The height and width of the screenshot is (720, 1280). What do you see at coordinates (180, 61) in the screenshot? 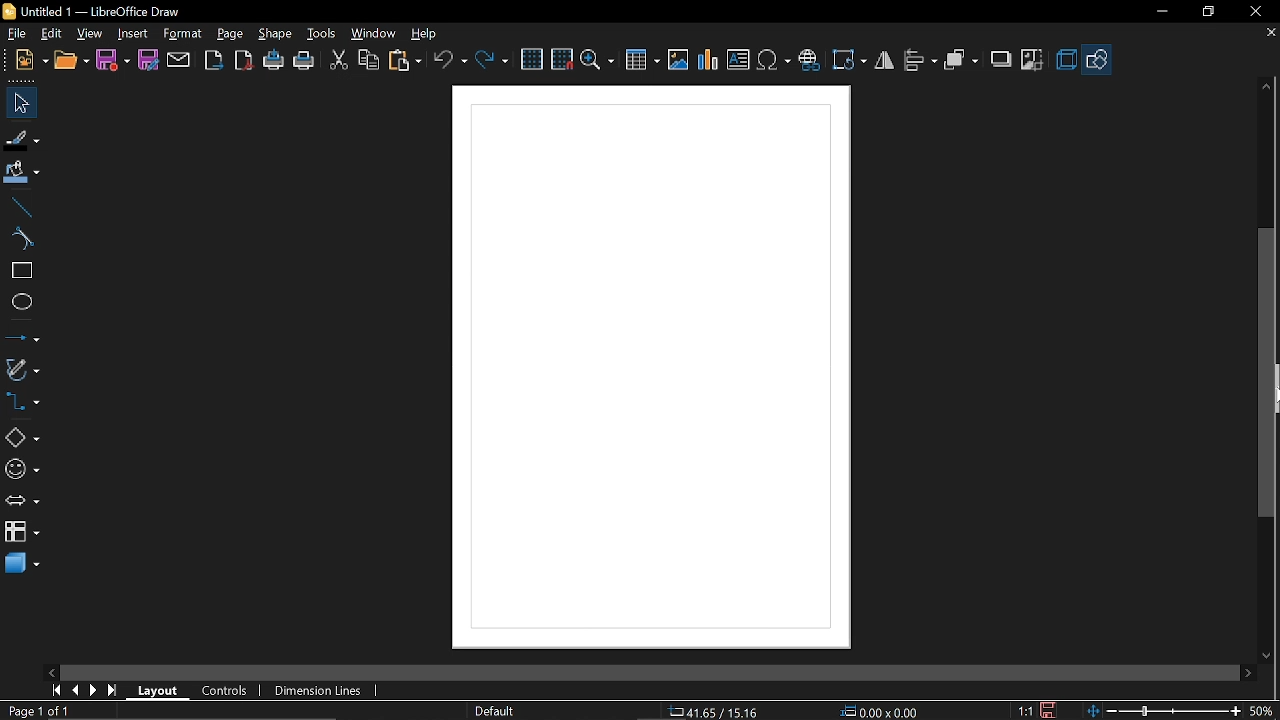
I see `attach` at bounding box center [180, 61].